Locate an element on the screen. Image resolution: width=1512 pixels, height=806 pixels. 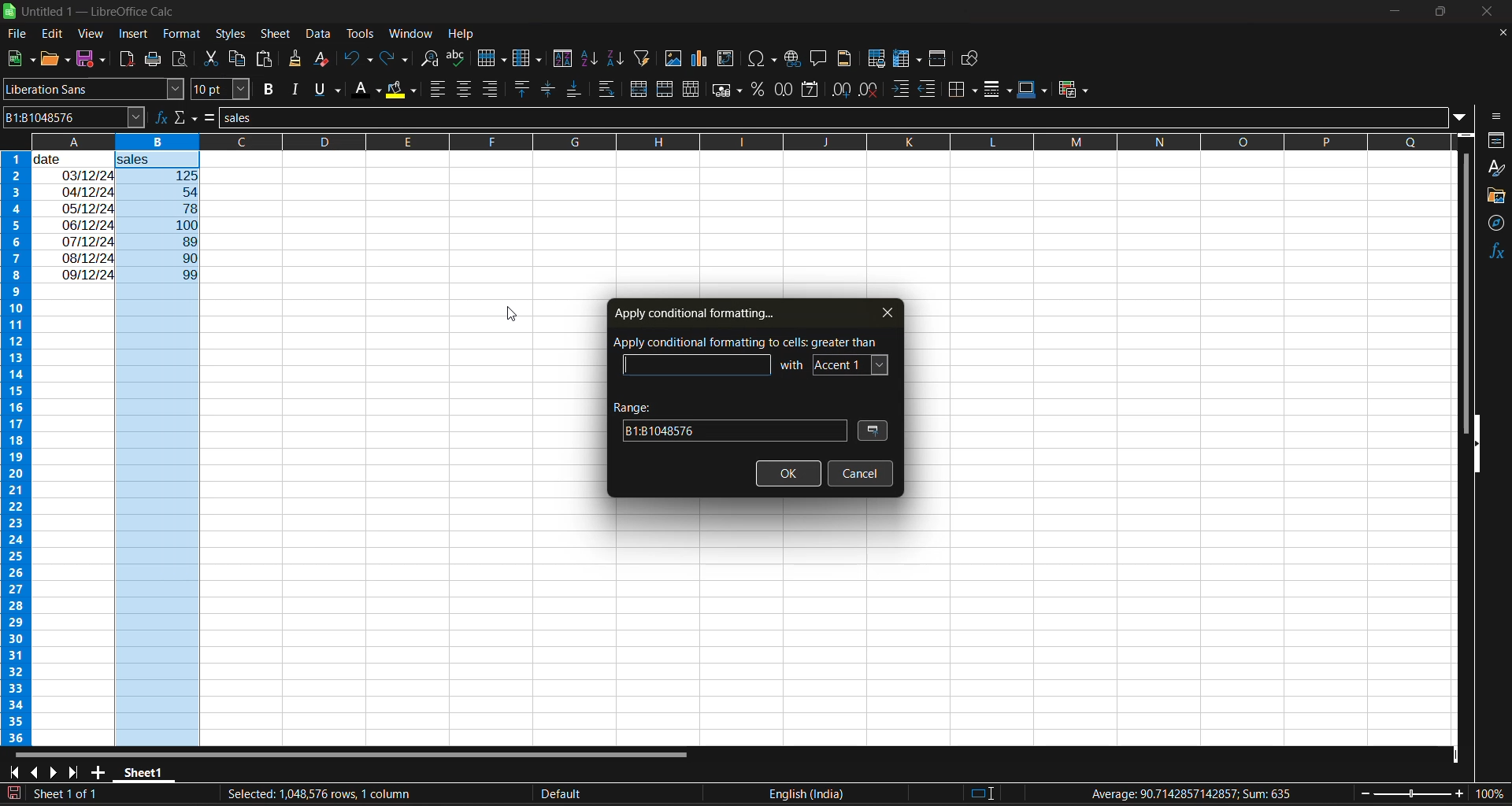
zoom factor is located at coordinates (1487, 795).